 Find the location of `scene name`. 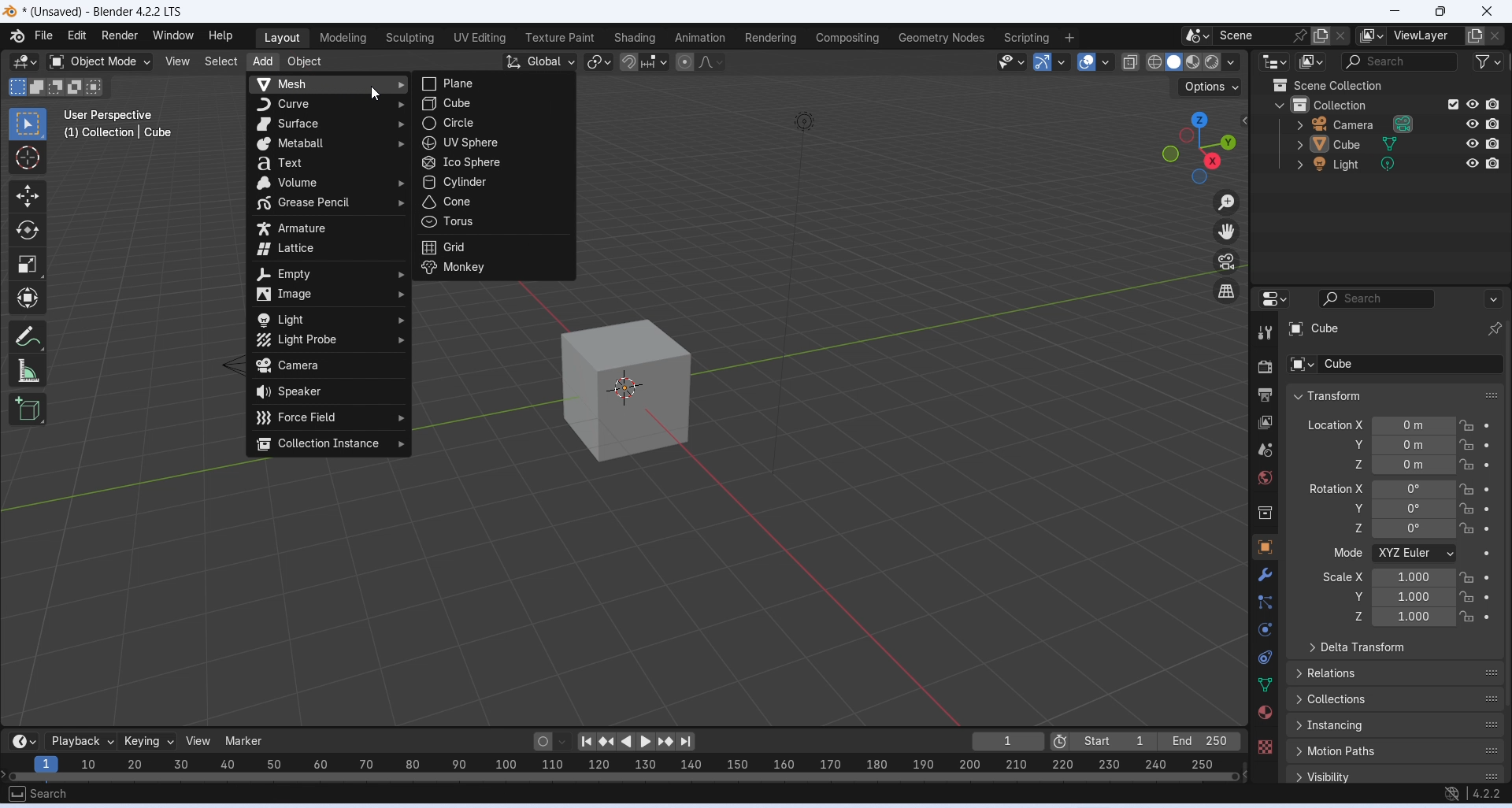

scene name is located at coordinates (1253, 35).